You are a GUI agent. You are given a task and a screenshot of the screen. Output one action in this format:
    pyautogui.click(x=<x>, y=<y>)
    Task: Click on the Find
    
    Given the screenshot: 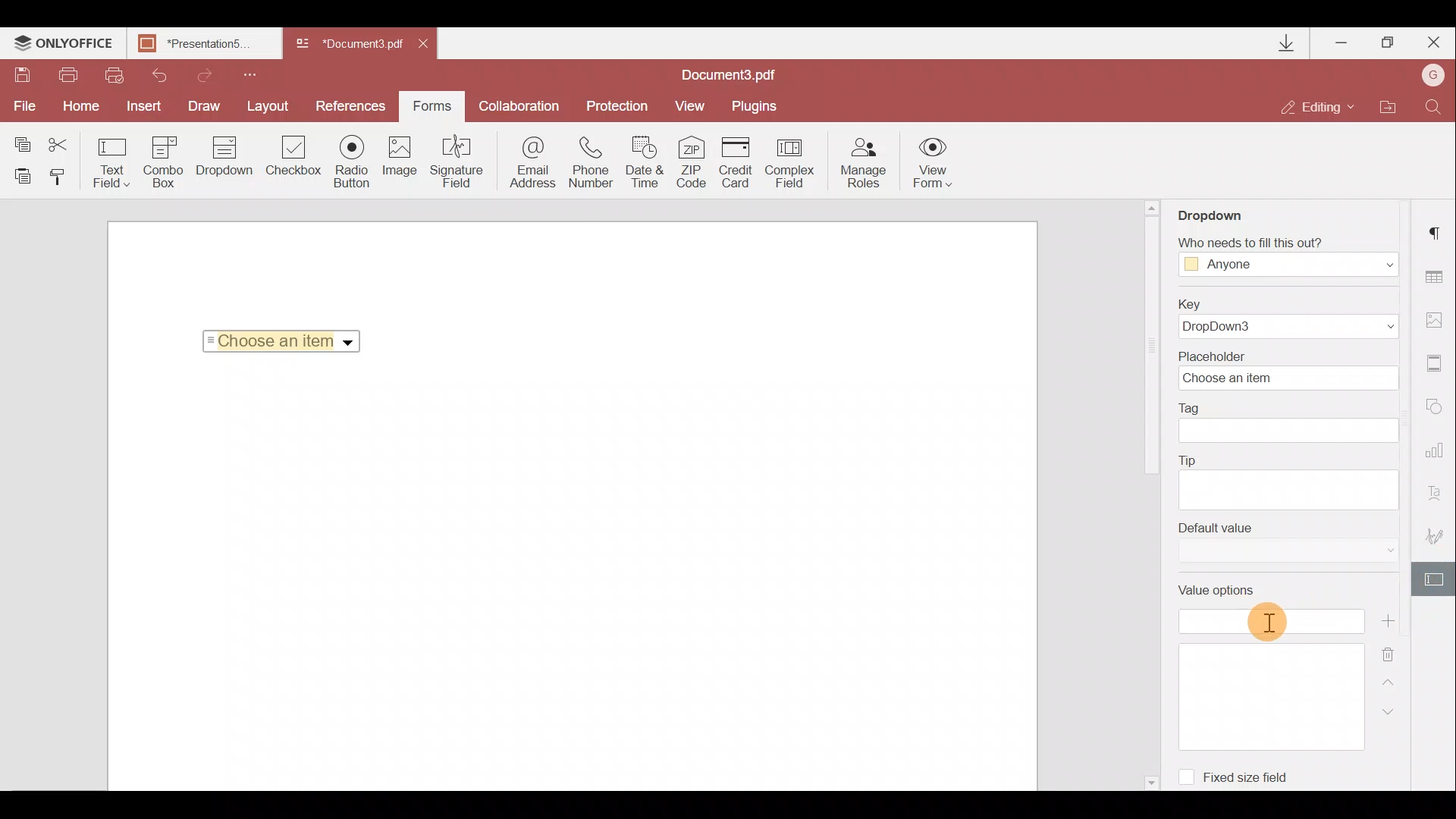 What is the action you would take?
    pyautogui.click(x=1436, y=106)
    